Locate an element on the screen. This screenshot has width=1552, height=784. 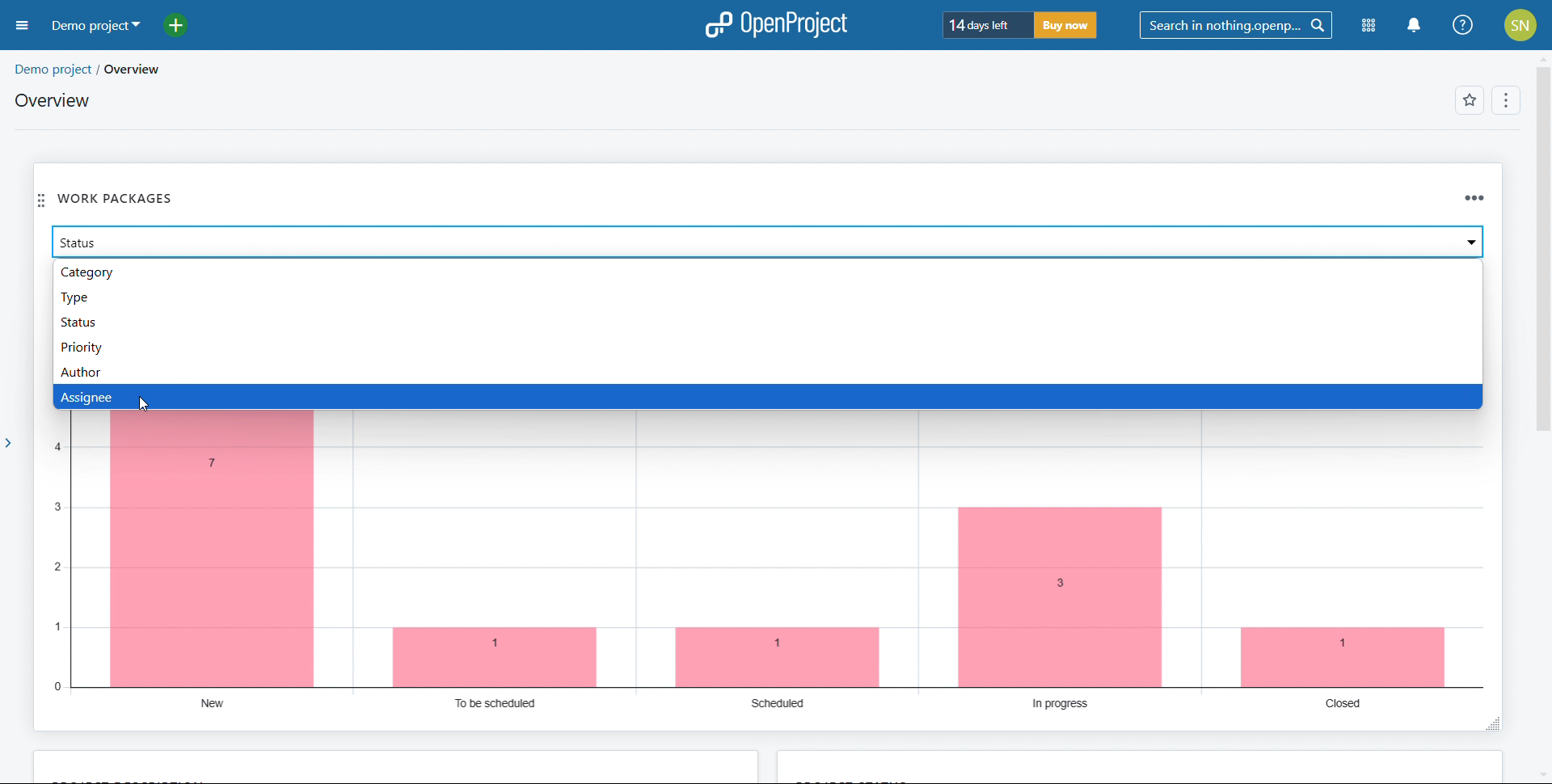
assignee is located at coordinates (769, 397).